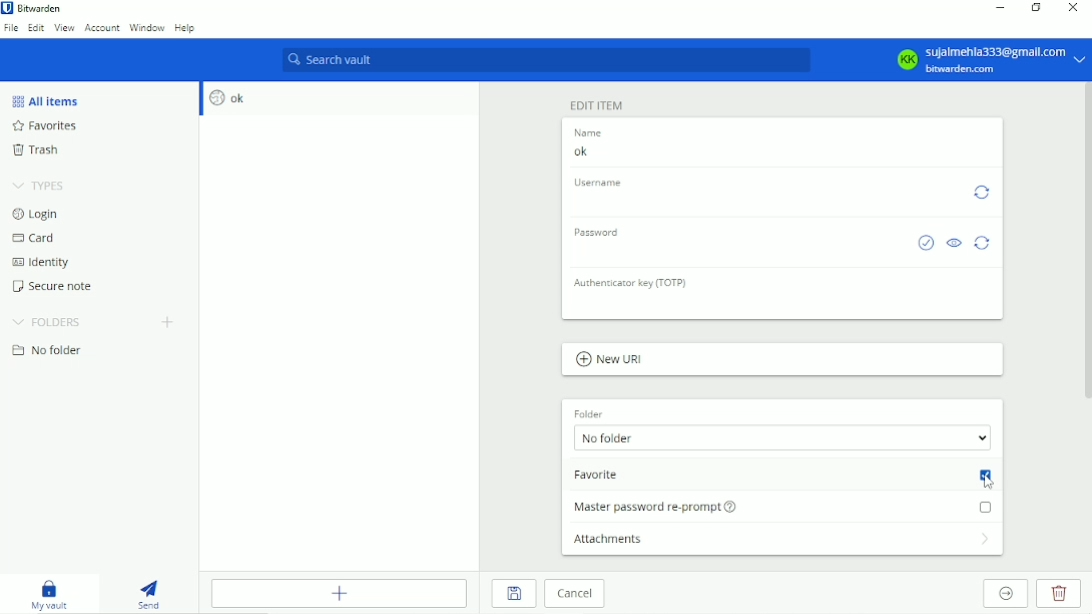  What do you see at coordinates (955, 243) in the screenshot?
I see `Toggle visibility` at bounding box center [955, 243].